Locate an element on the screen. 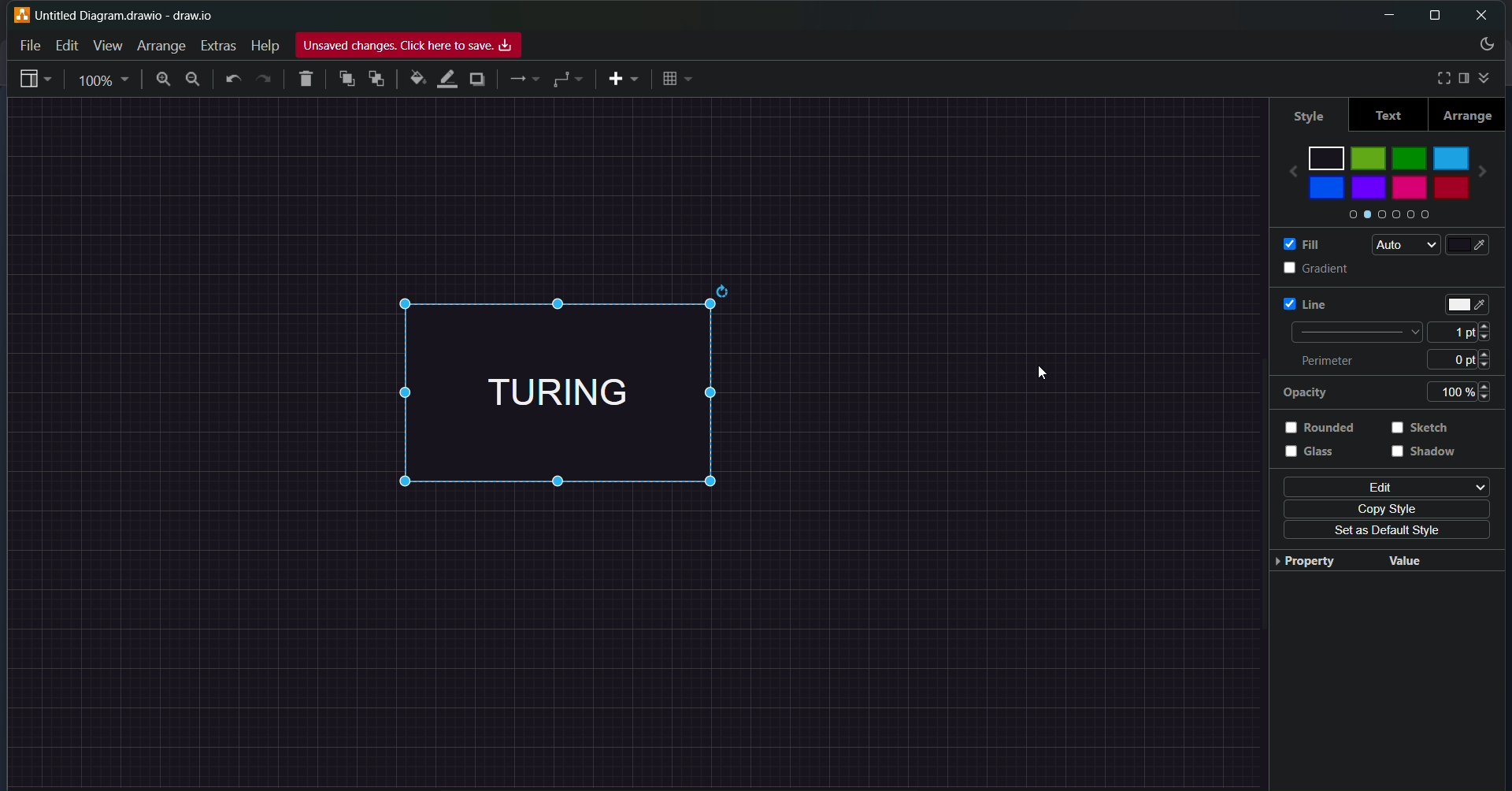  Help is located at coordinates (264, 46).